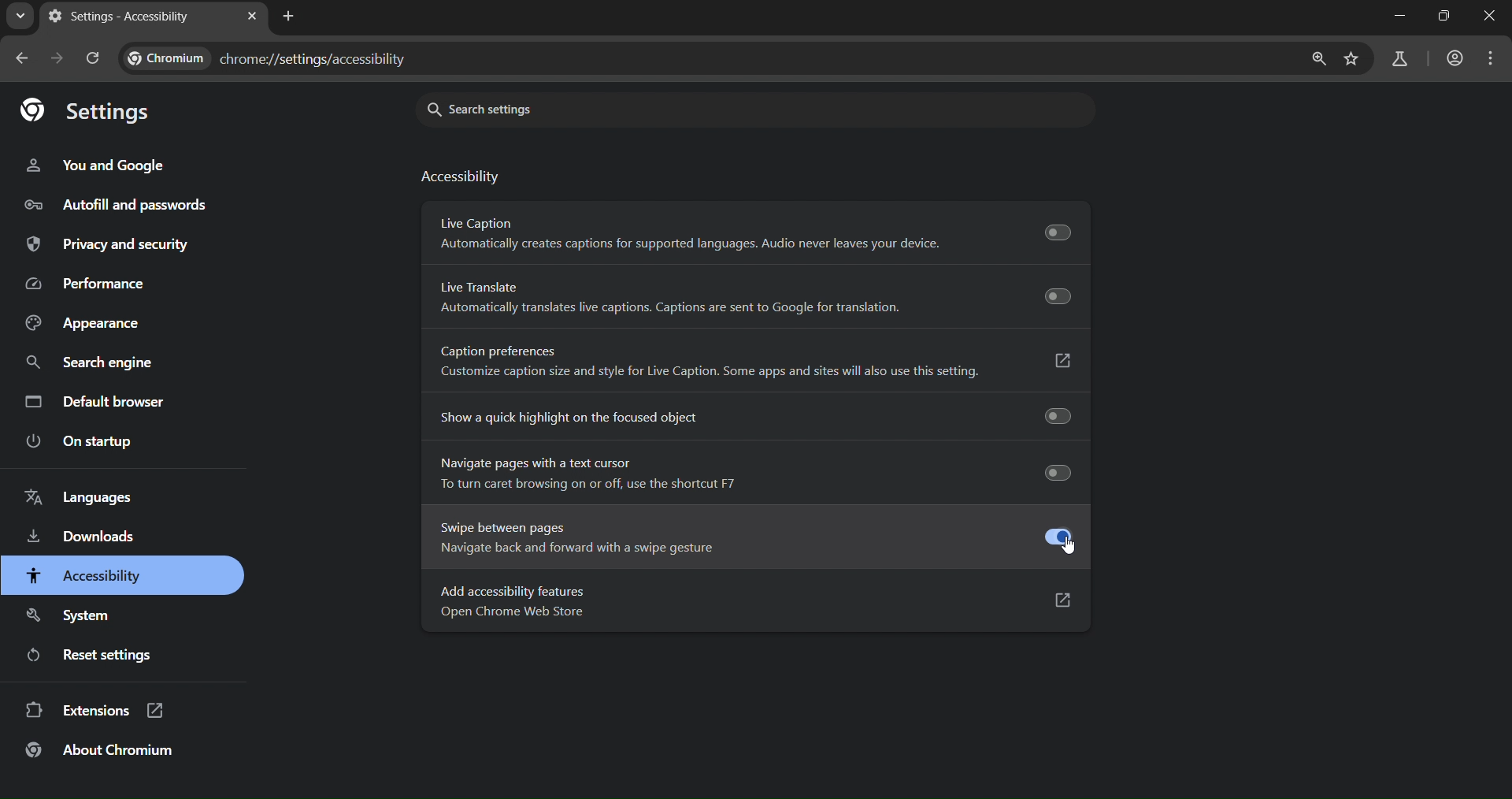 This screenshot has width=1512, height=799. What do you see at coordinates (1350, 59) in the screenshot?
I see `bookmark page` at bounding box center [1350, 59].